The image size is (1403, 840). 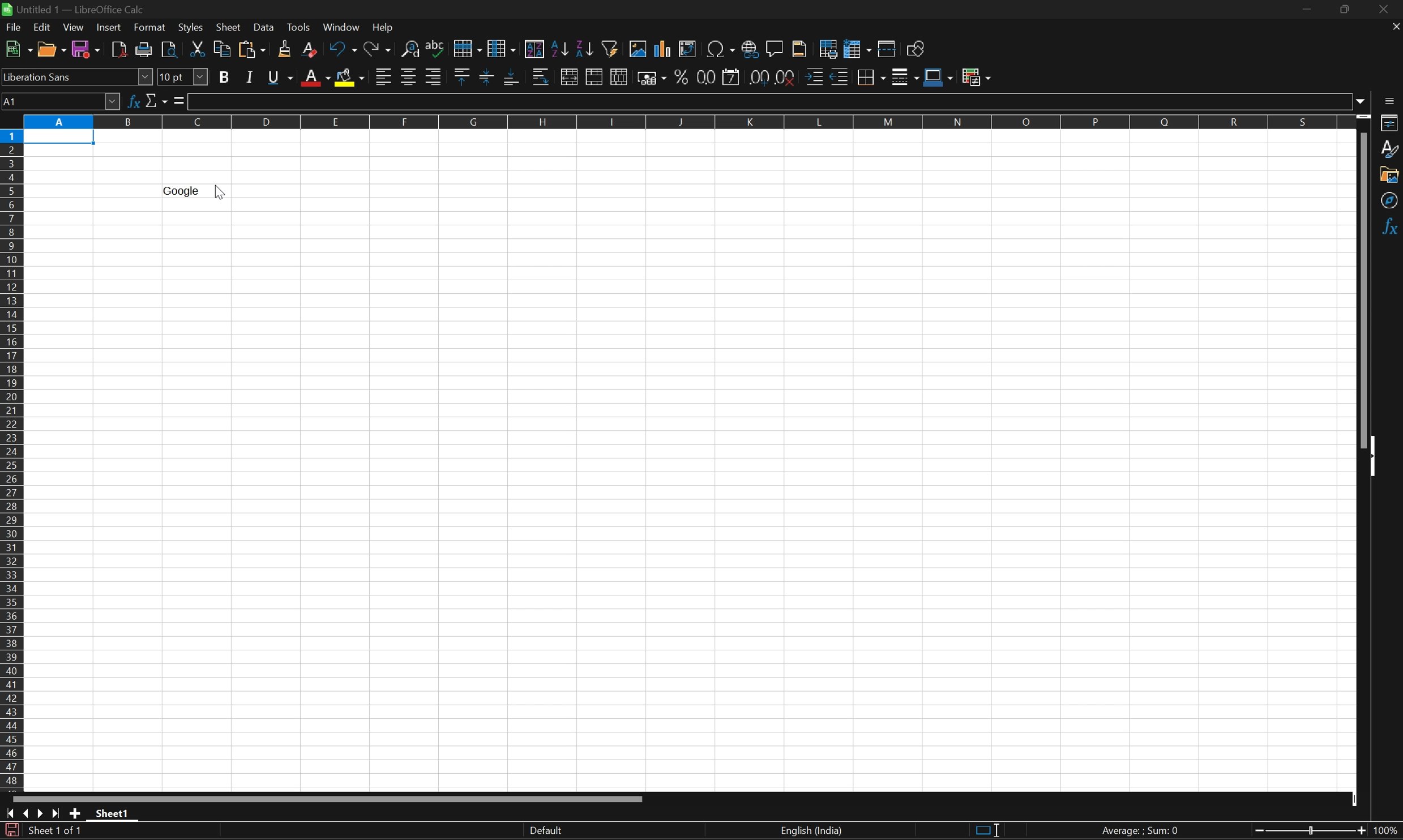 What do you see at coordinates (559, 49) in the screenshot?
I see `Sort ascending` at bounding box center [559, 49].